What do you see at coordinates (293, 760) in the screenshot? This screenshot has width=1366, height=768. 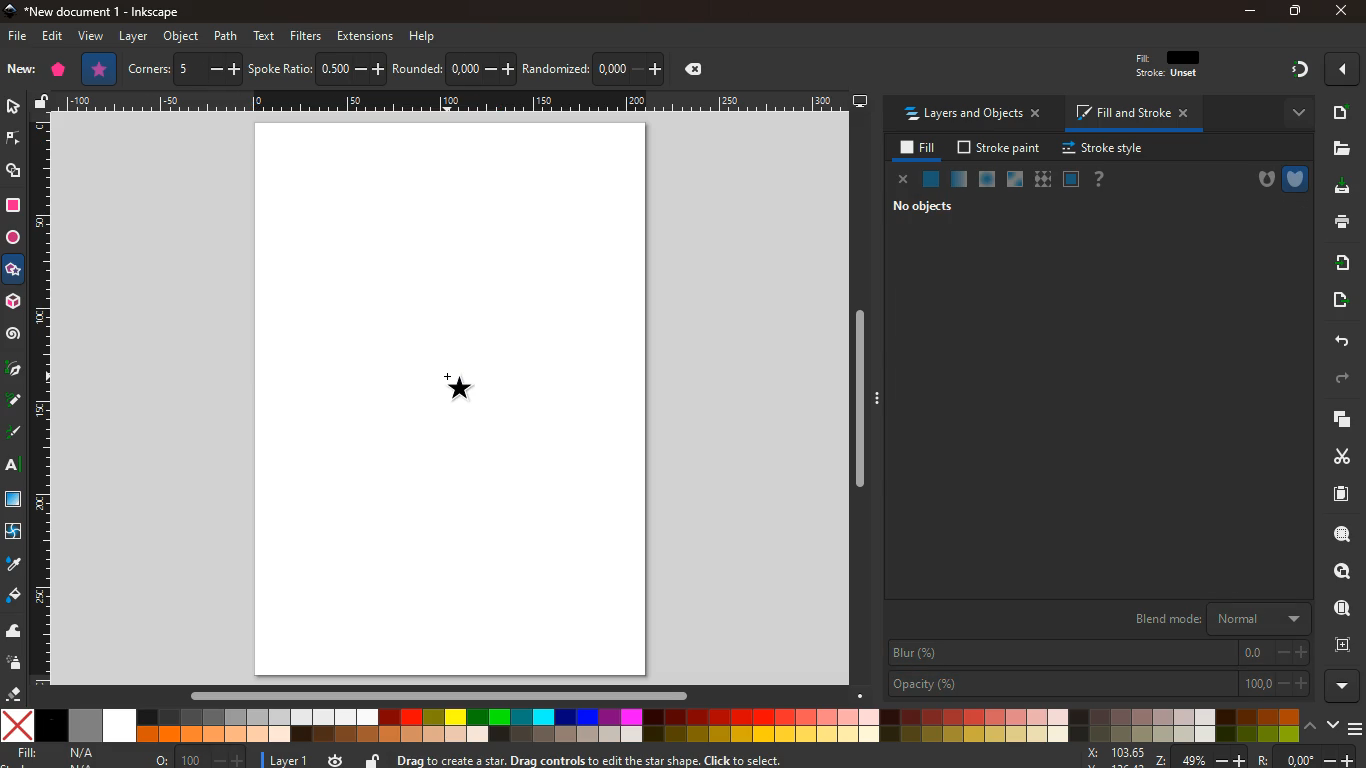 I see `layer 1` at bounding box center [293, 760].